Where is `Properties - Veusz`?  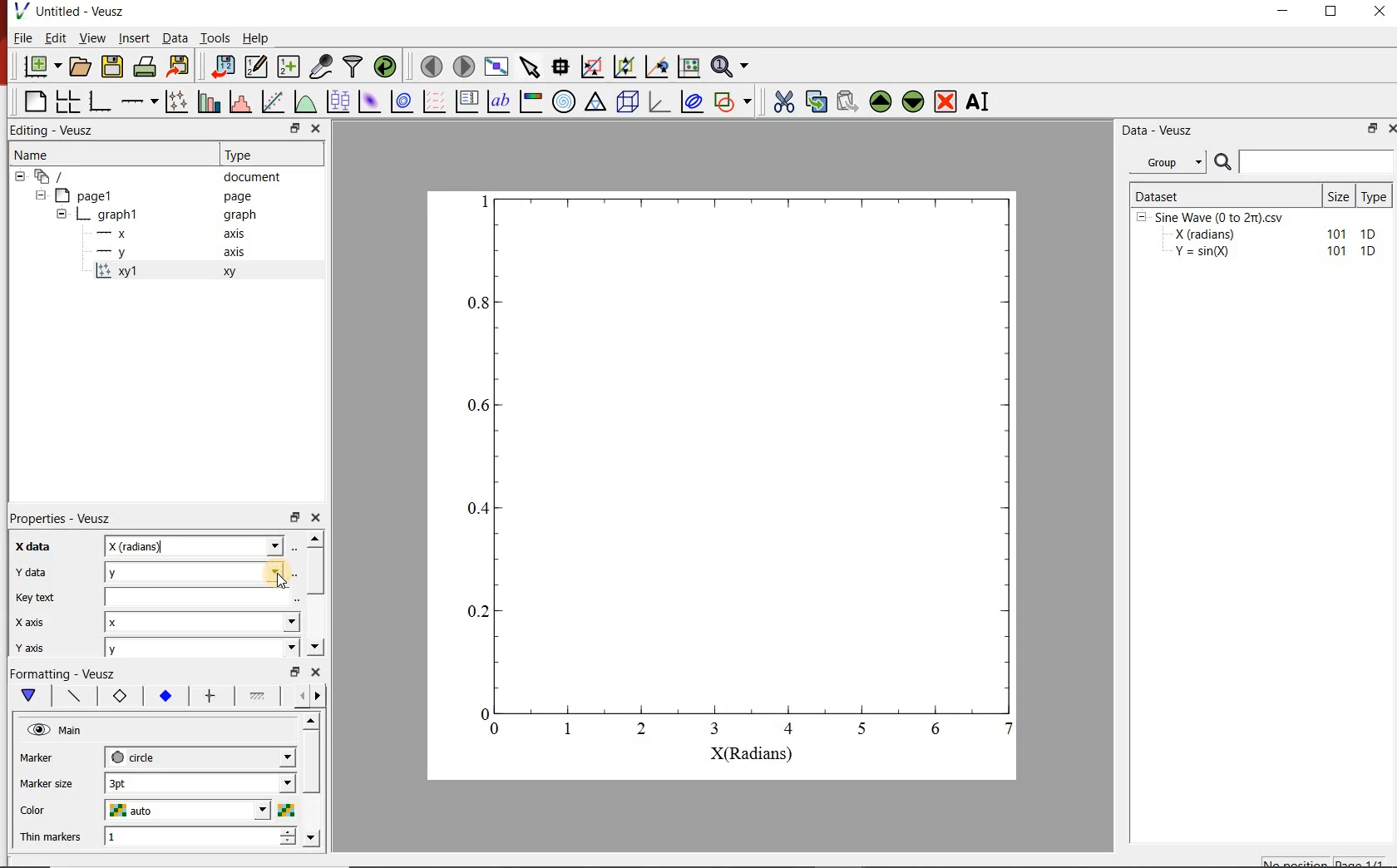
Properties - Veusz is located at coordinates (62, 518).